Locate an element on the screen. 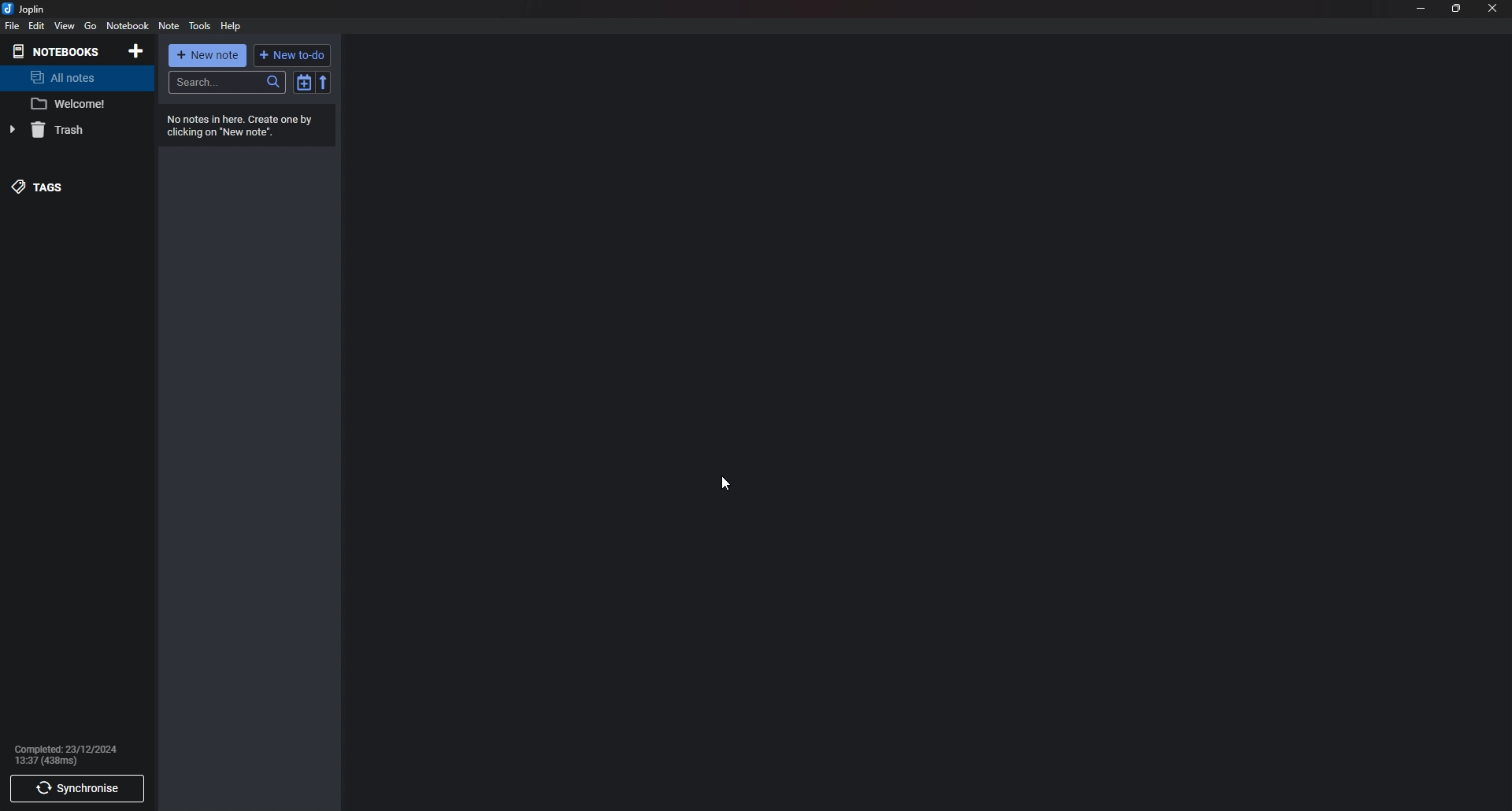  New note is located at coordinates (207, 54).